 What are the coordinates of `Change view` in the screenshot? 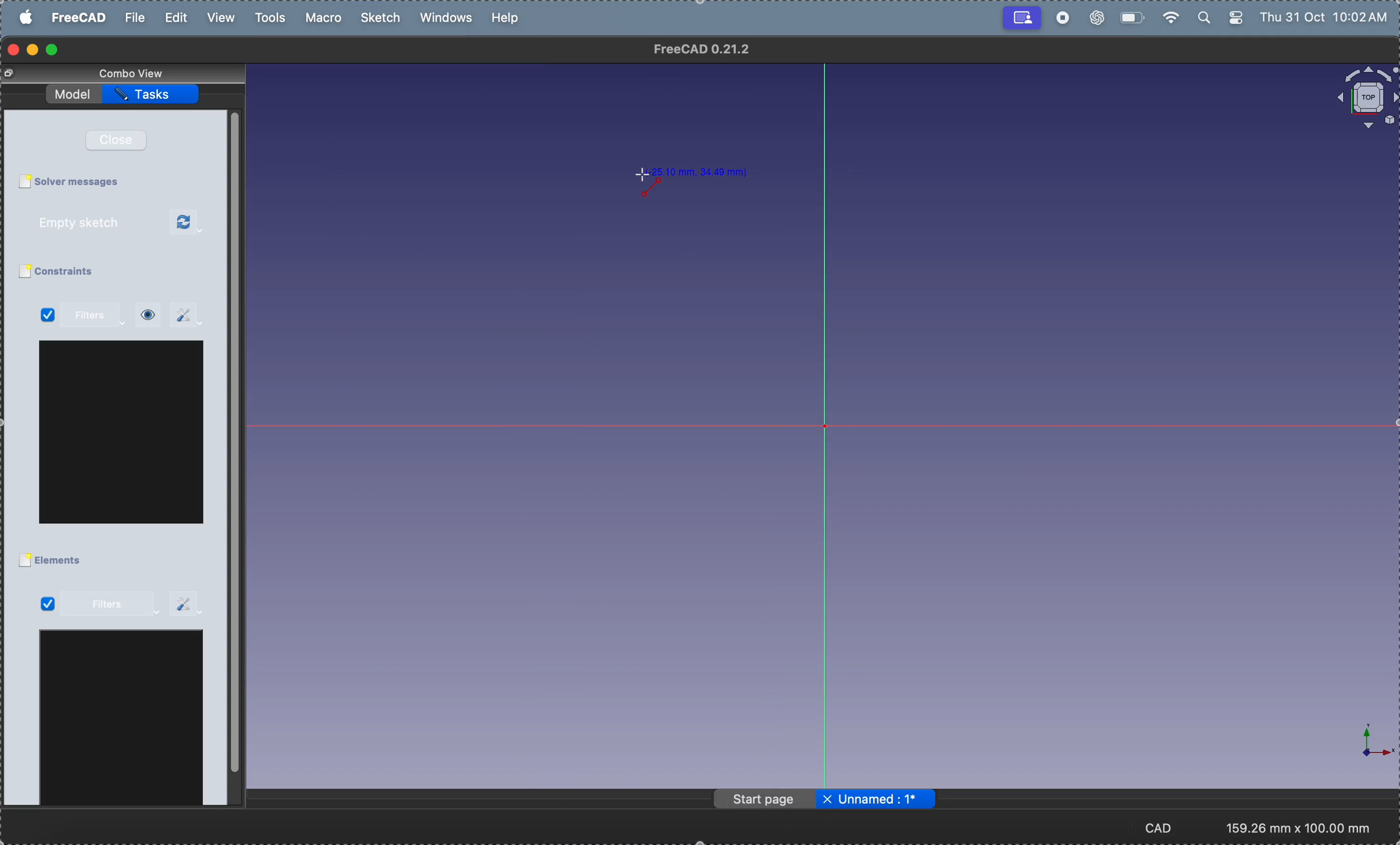 It's located at (12, 74).